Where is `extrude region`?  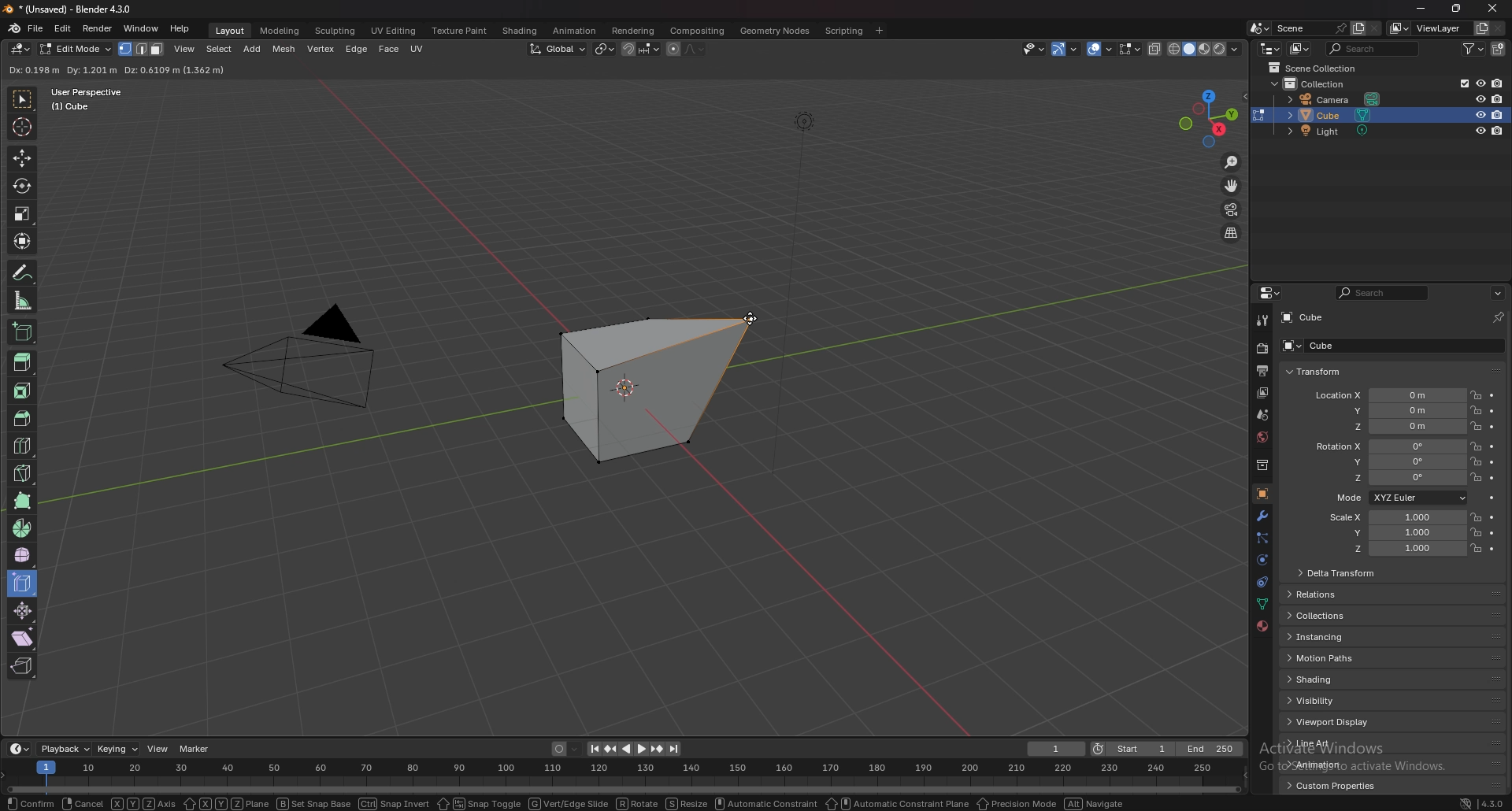 extrude region is located at coordinates (24, 361).